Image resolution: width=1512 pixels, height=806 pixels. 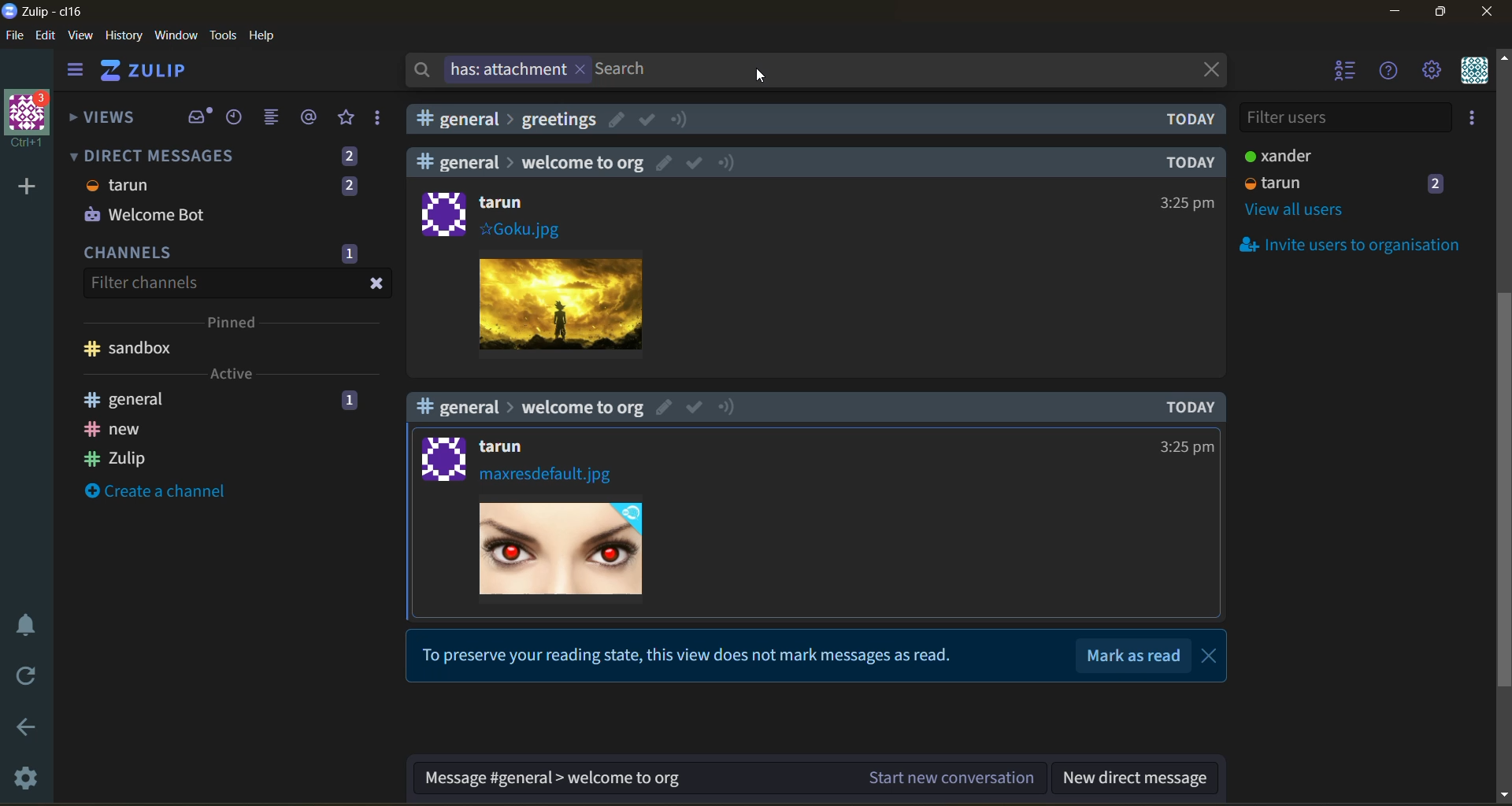 What do you see at coordinates (661, 163) in the screenshot?
I see `edit ` at bounding box center [661, 163].